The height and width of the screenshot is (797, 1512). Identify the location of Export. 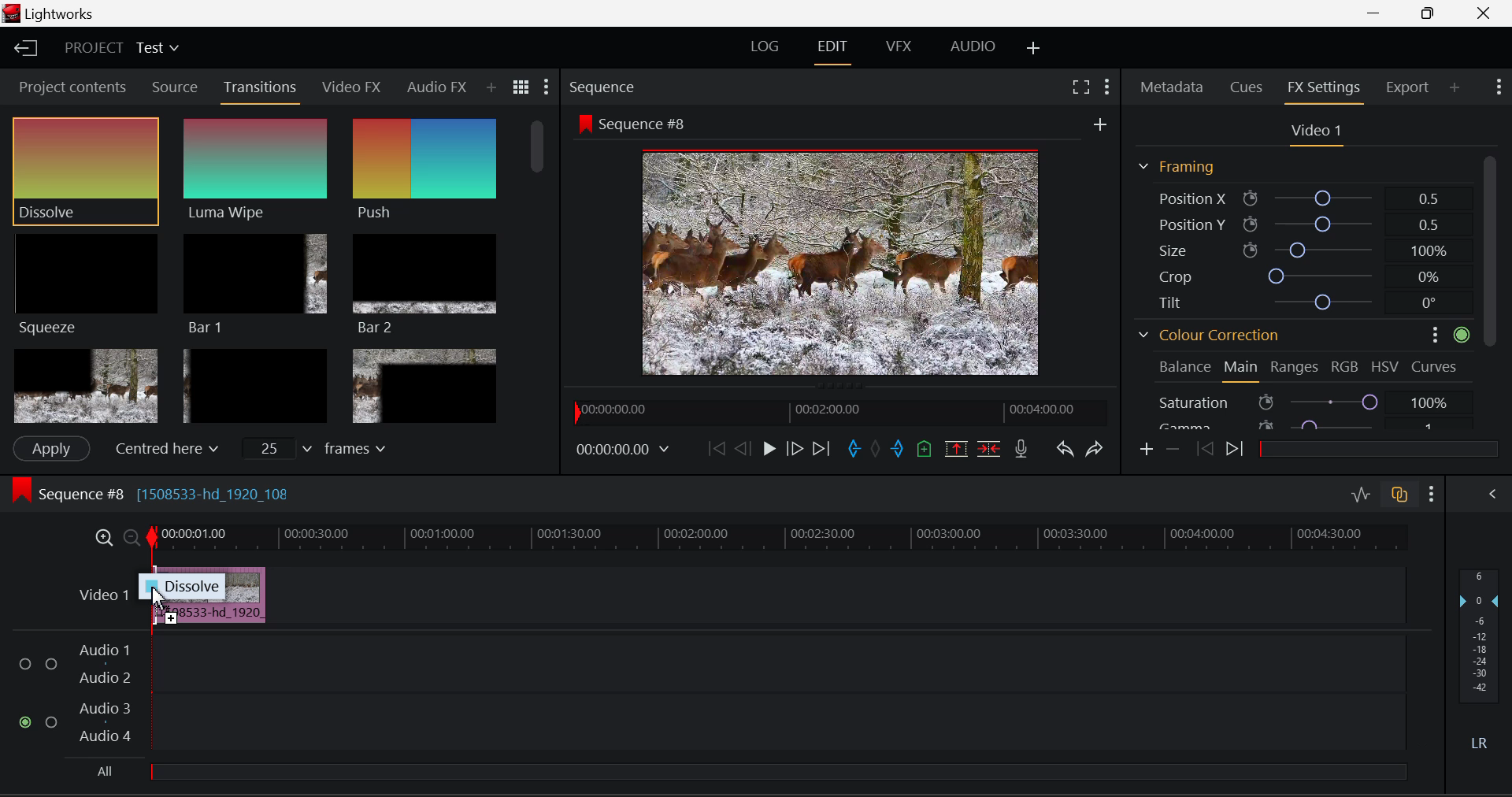
(1408, 87).